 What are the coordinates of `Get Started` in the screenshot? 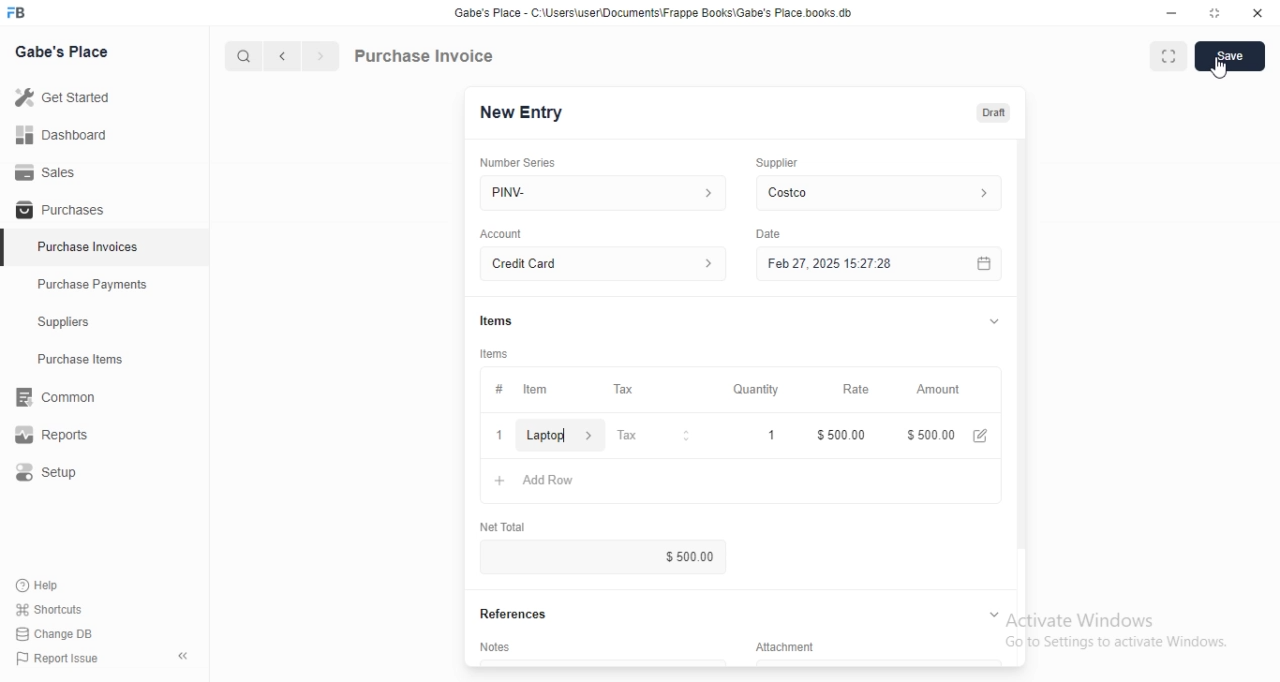 It's located at (104, 97).